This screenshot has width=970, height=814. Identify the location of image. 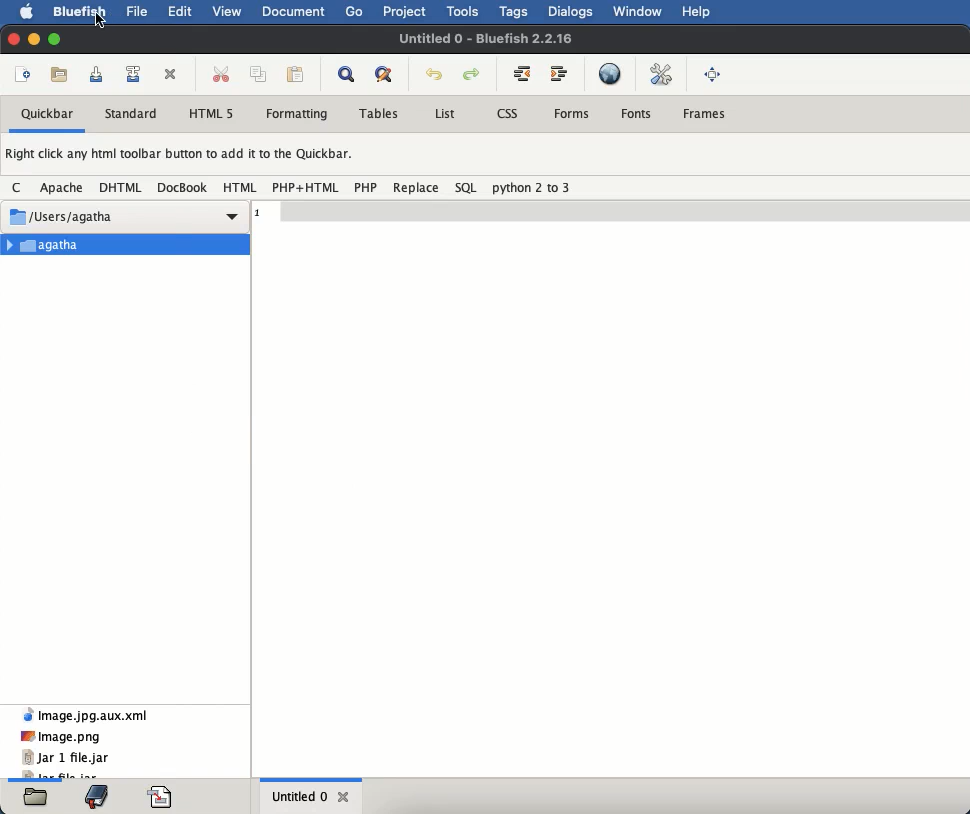
(61, 736).